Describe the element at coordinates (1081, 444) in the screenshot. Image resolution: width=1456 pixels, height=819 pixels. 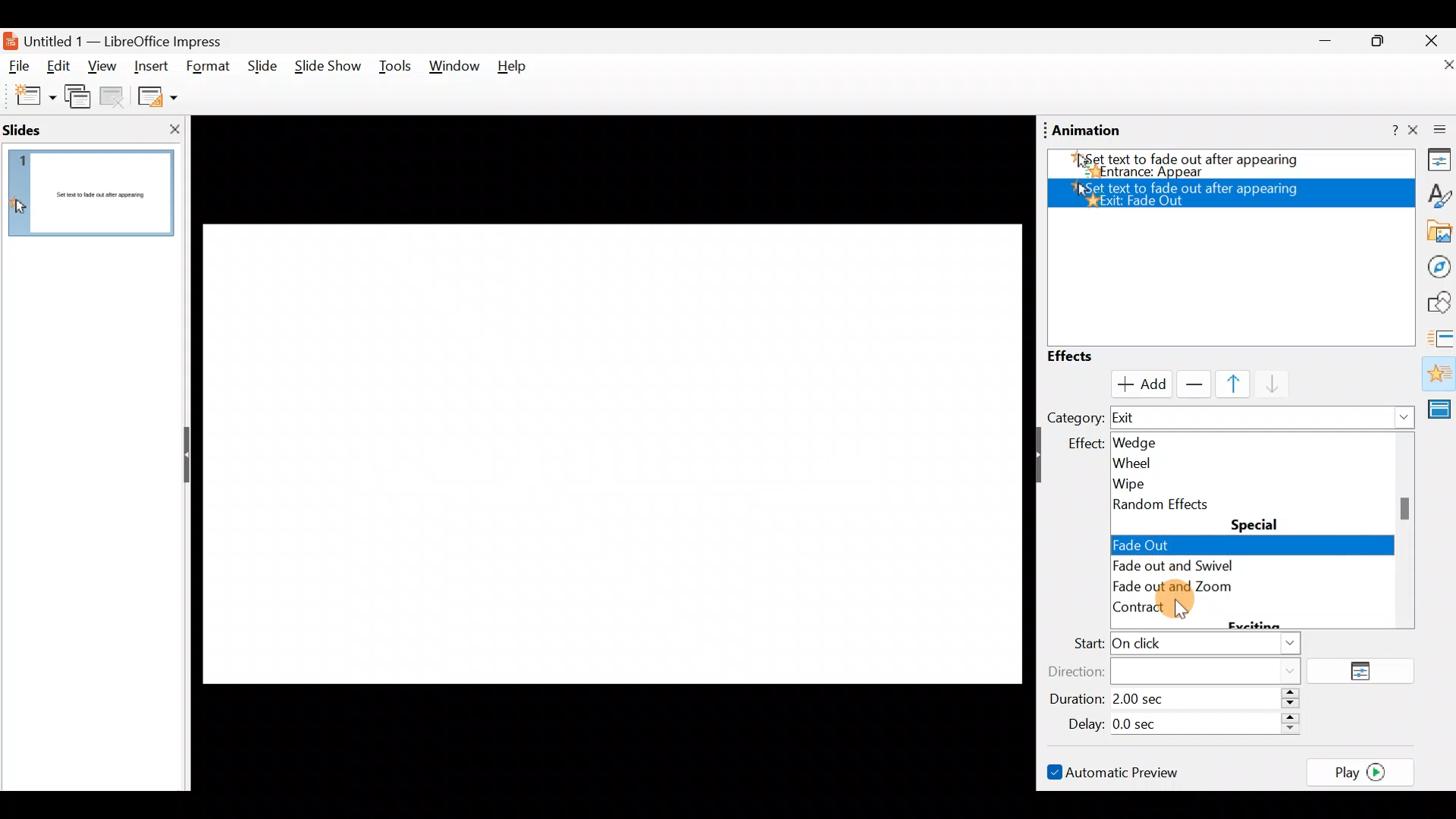
I see `effect` at that location.